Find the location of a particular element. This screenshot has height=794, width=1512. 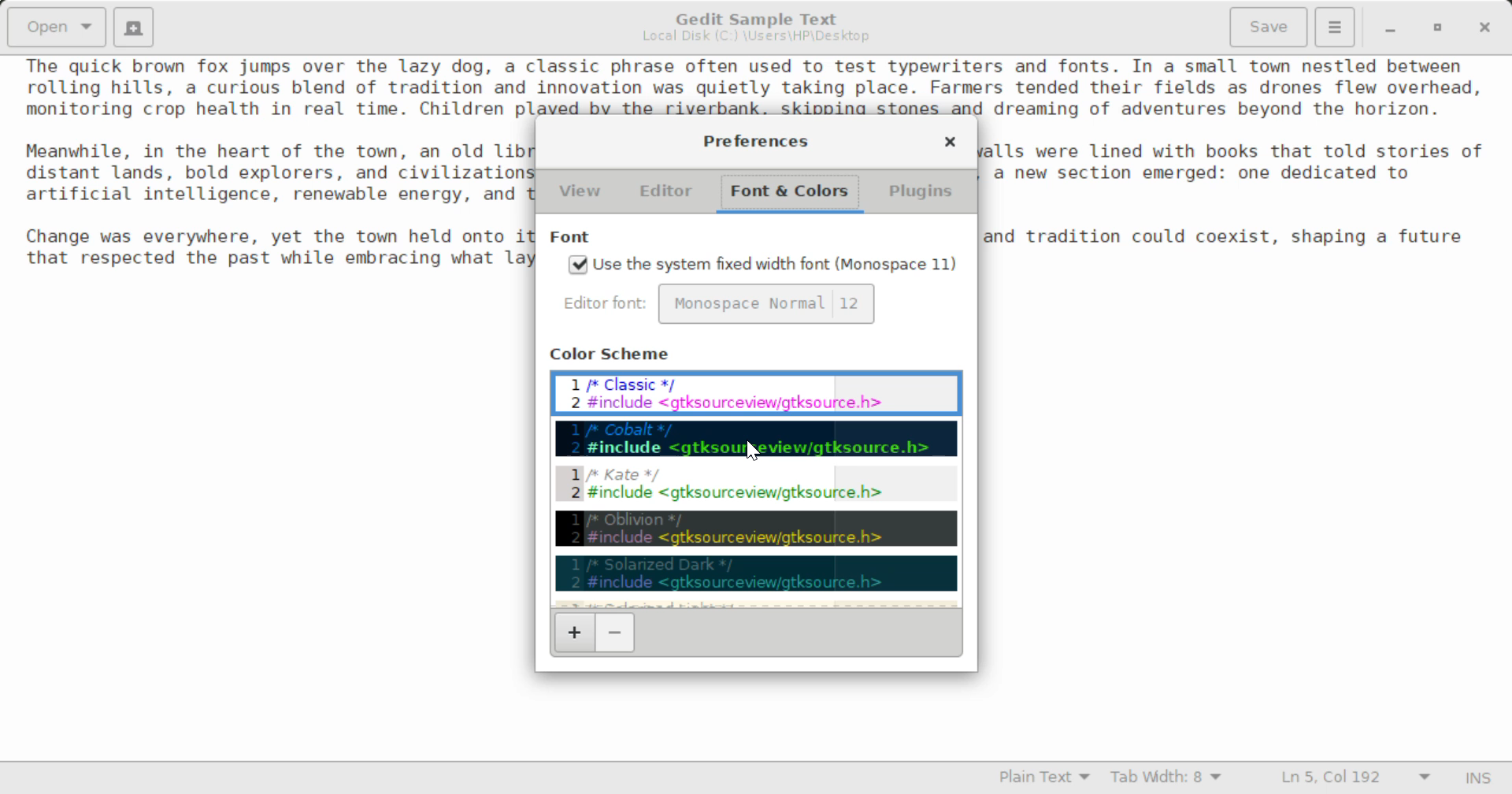

Monospace Normal 12 is located at coordinates (767, 304).